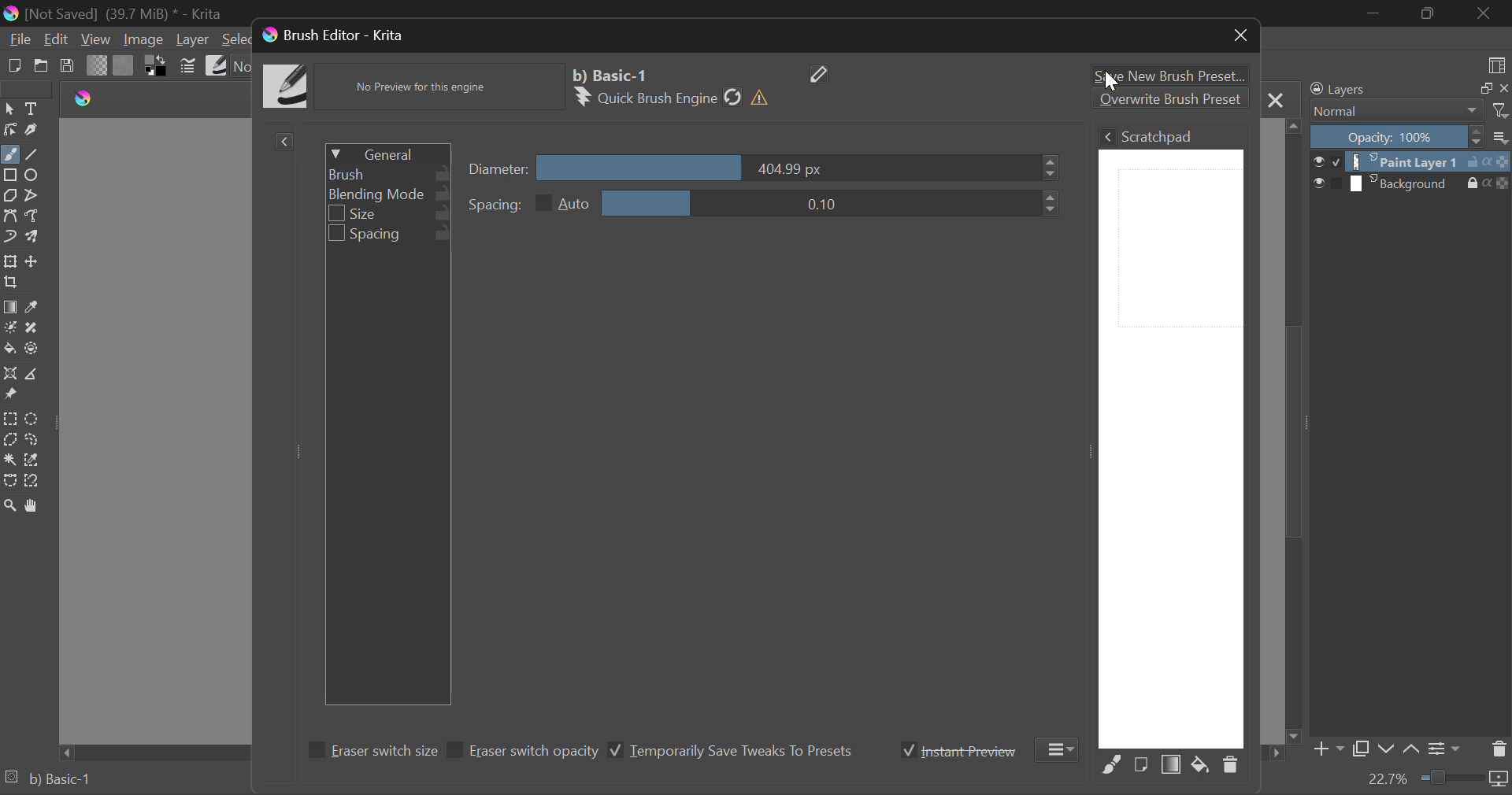  I want to click on Fill, so click(10, 349).